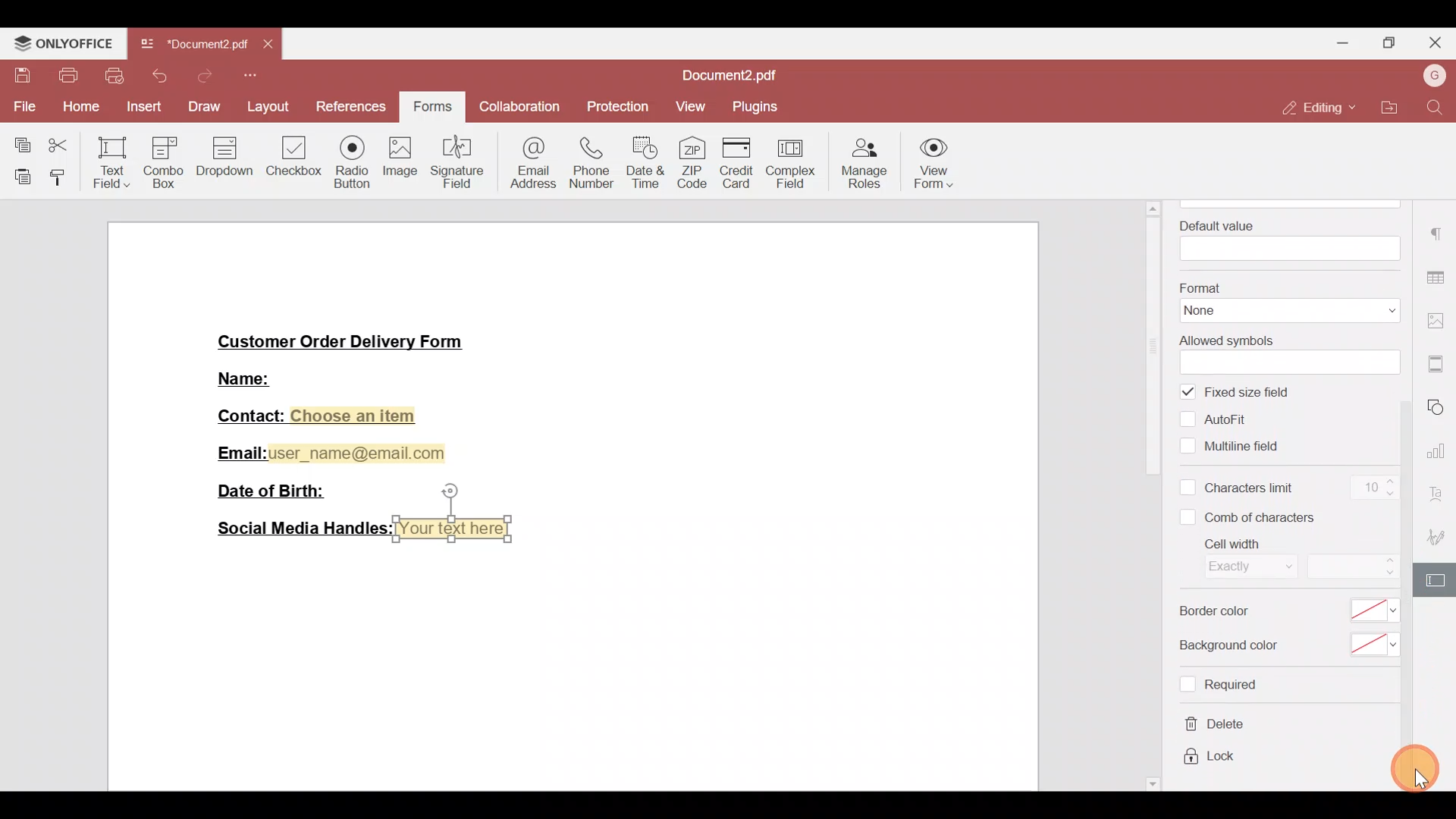  Describe the element at coordinates (1439, 315) in the screenshot. I see `Image settings` at that location.